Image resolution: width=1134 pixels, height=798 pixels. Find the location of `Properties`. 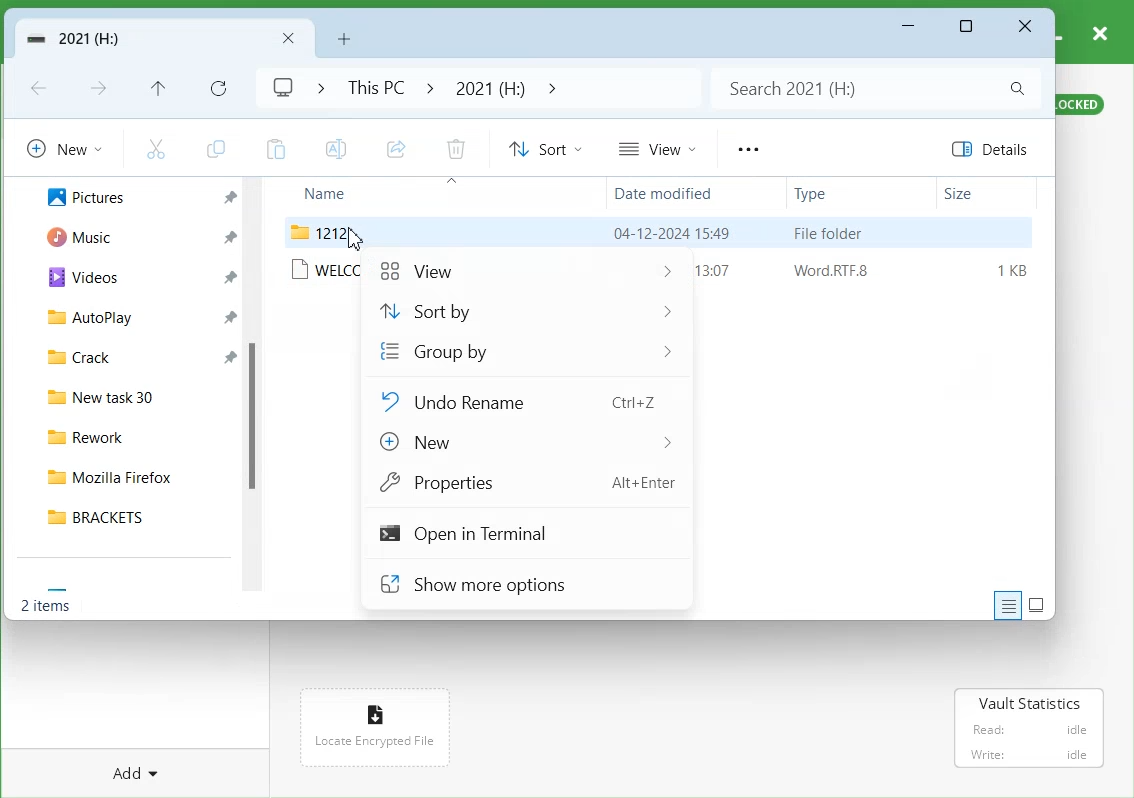

Properties is located at coordinates (527, 480).